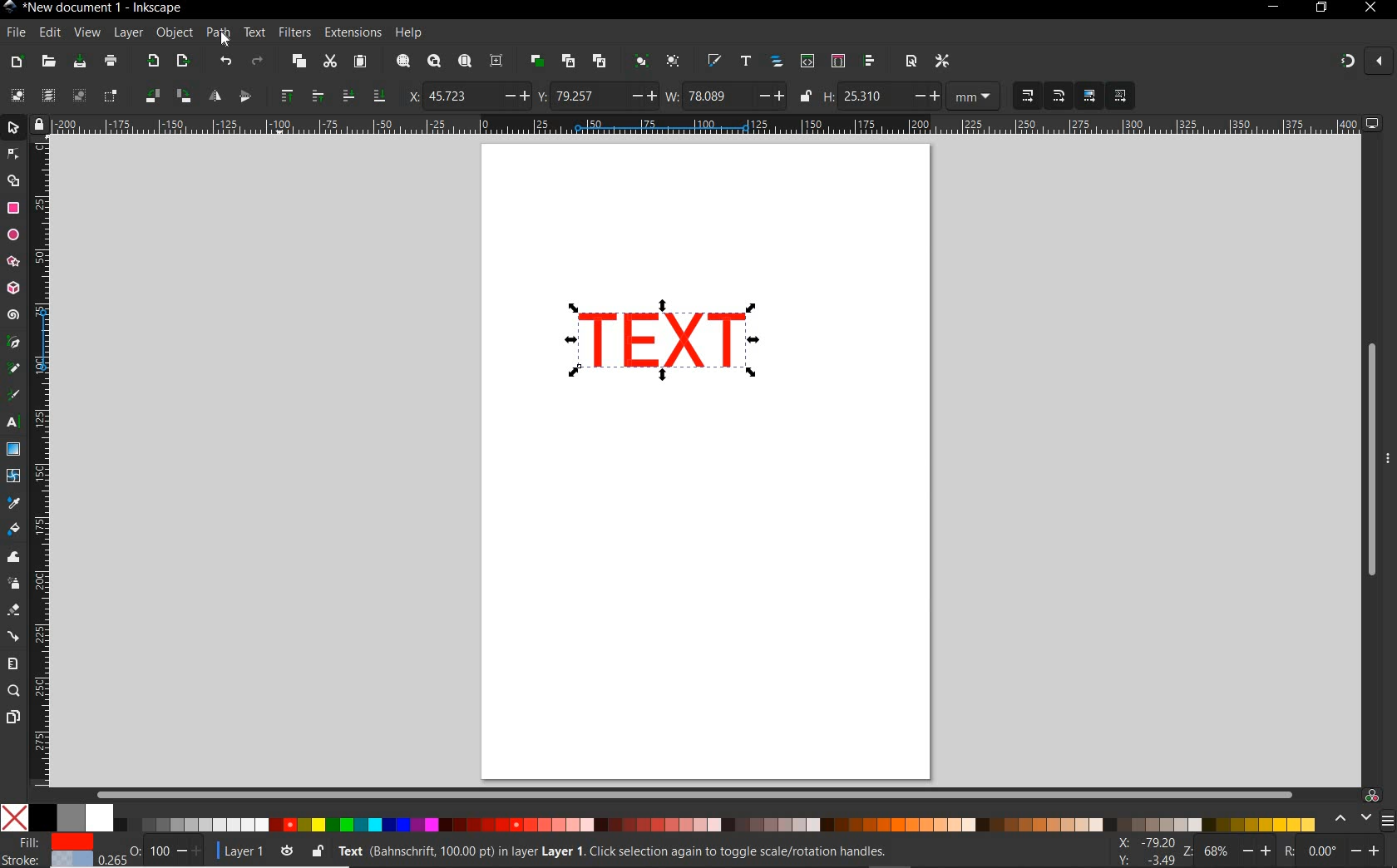 This screenshot has height=868, width=1397. What do you see at coordinates (12, 663) in the screenshot?
I see `MEASURE TOOL` at bounding box center [12, 663].